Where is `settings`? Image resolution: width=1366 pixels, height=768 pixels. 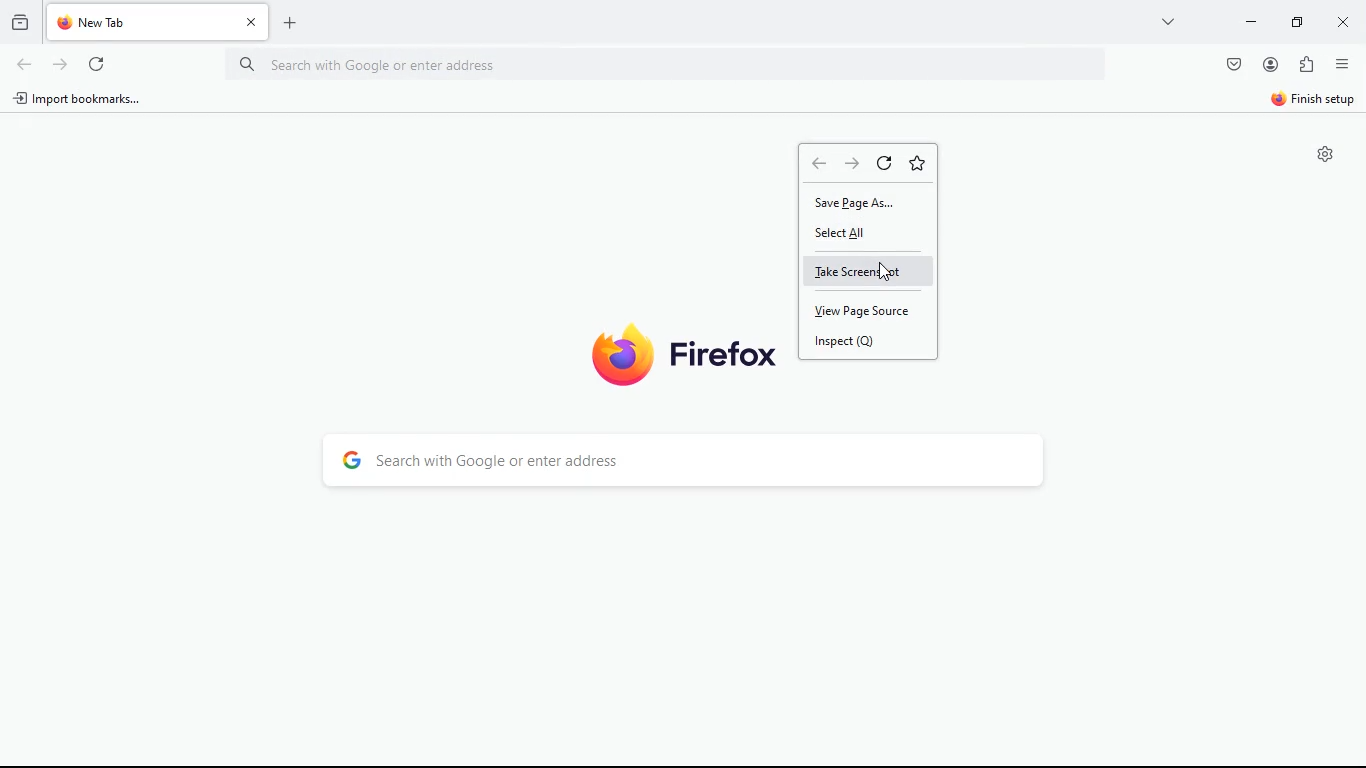
settings is located at coordinates (1321, 156).